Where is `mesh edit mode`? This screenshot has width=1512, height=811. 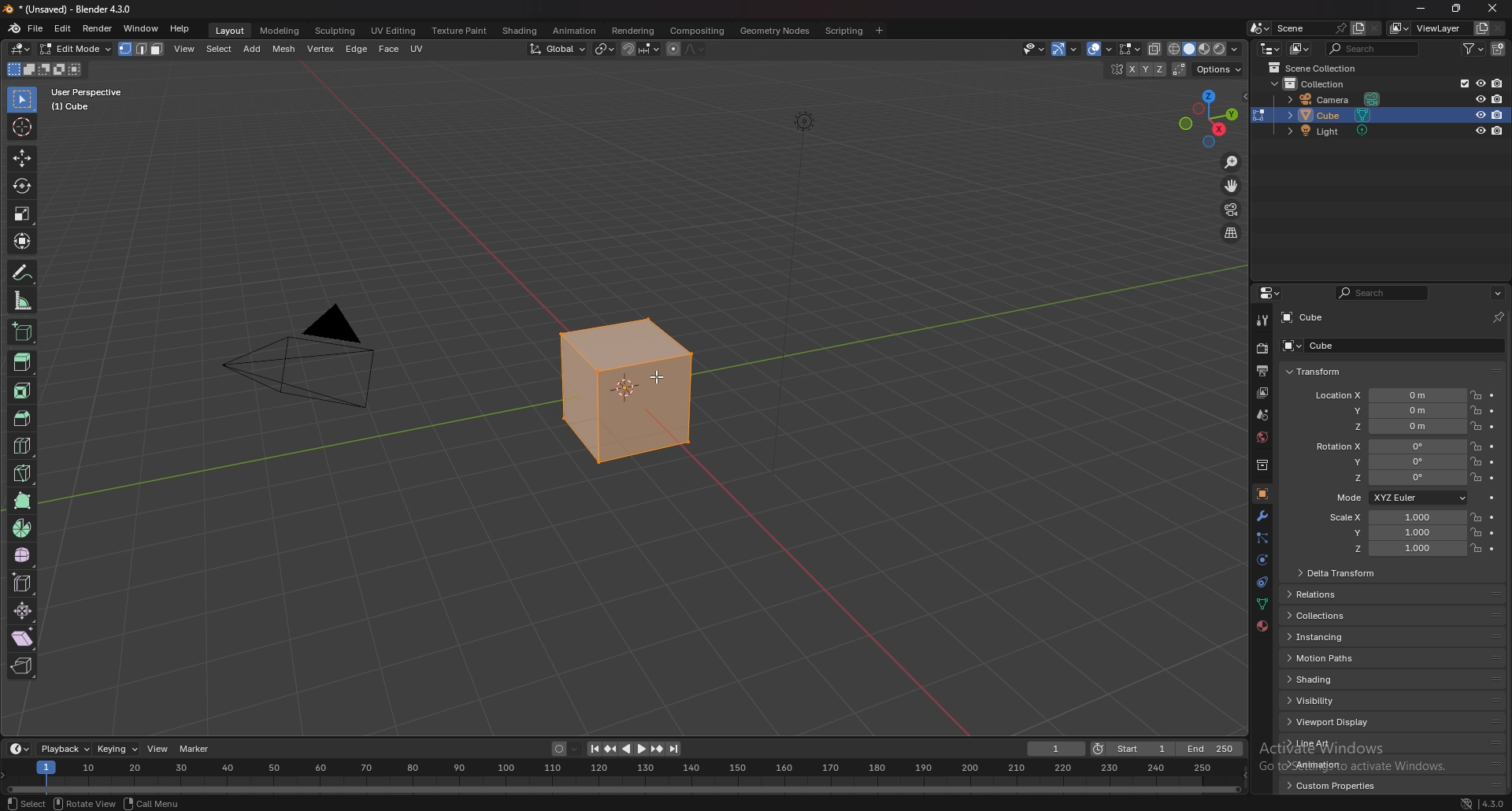
mesh edit mode is located at coordinates (1130, 50).